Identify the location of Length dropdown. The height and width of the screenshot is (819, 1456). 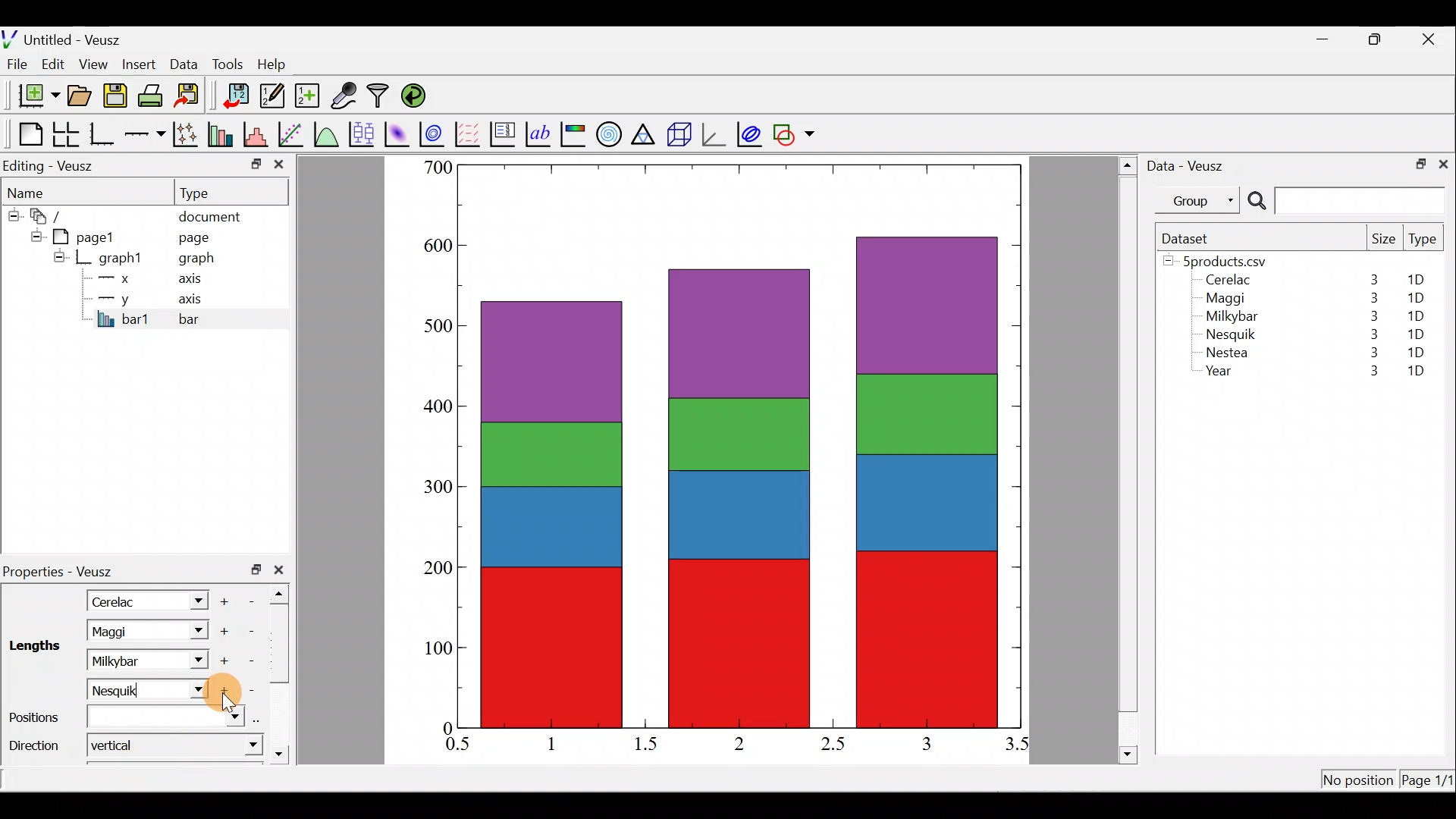
(194, 660).